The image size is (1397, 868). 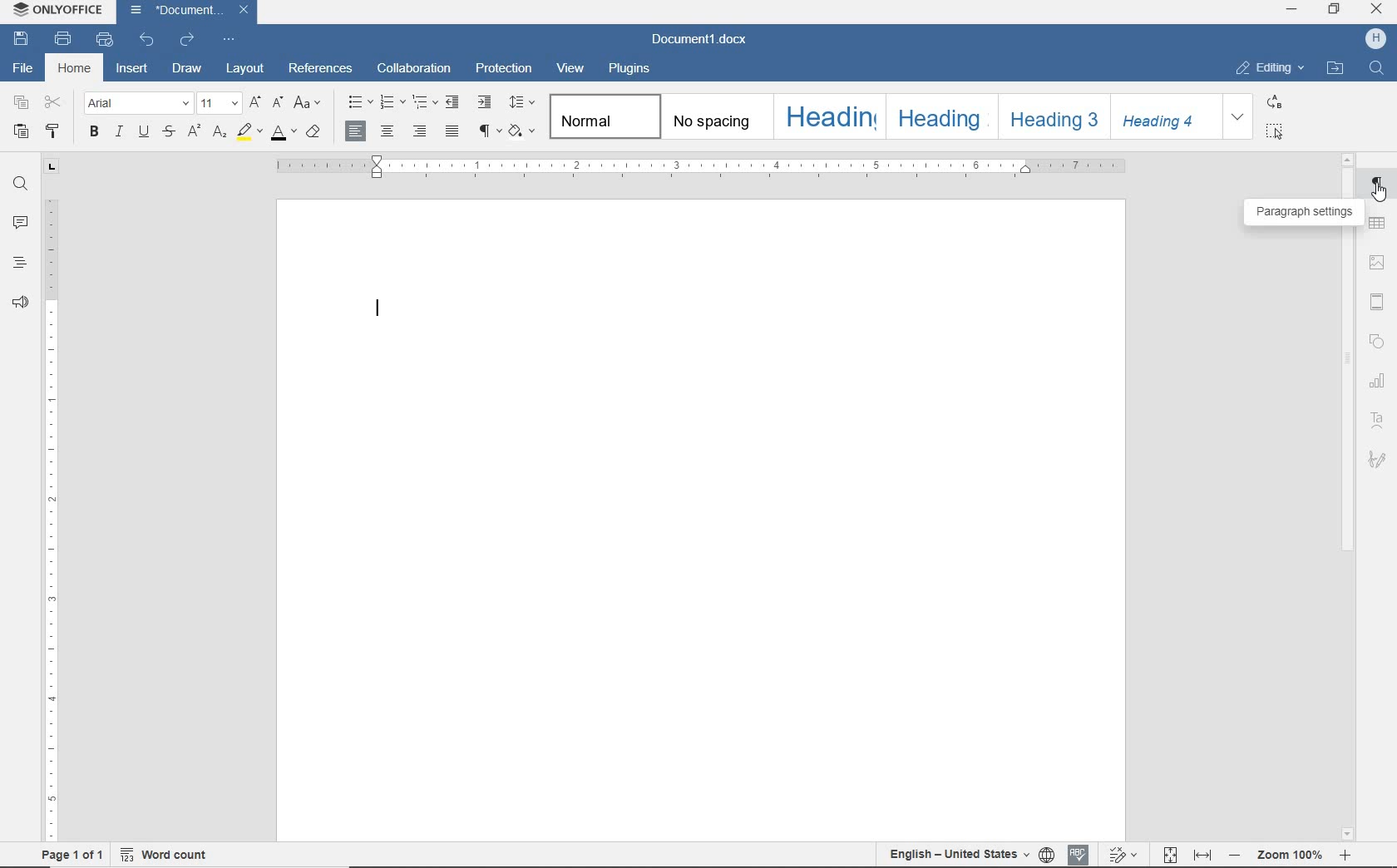 I want to click on subscript, so click(x=217, y=133).